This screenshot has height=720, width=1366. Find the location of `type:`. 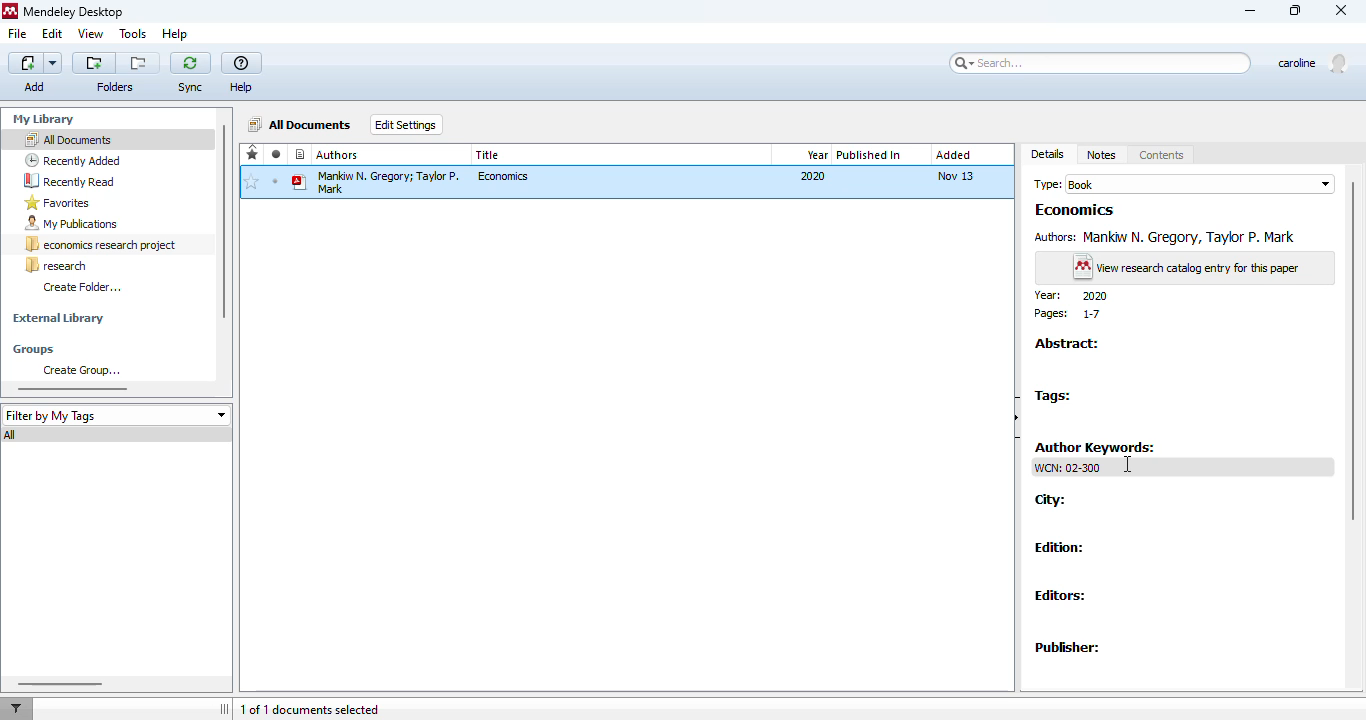

type: is located at coordinates (1047, 183).